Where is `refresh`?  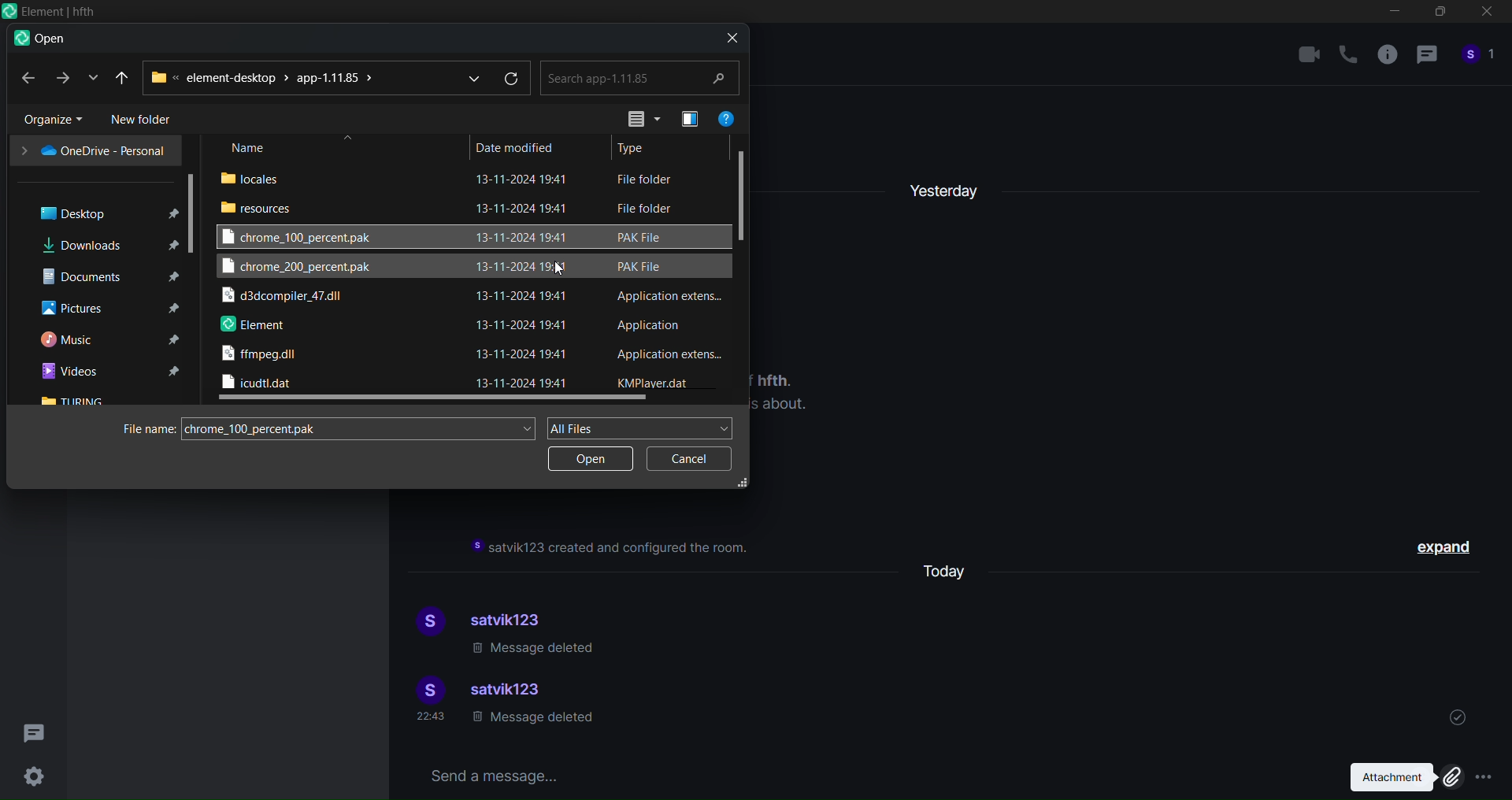 refresh is located at coordinates (513, 79).